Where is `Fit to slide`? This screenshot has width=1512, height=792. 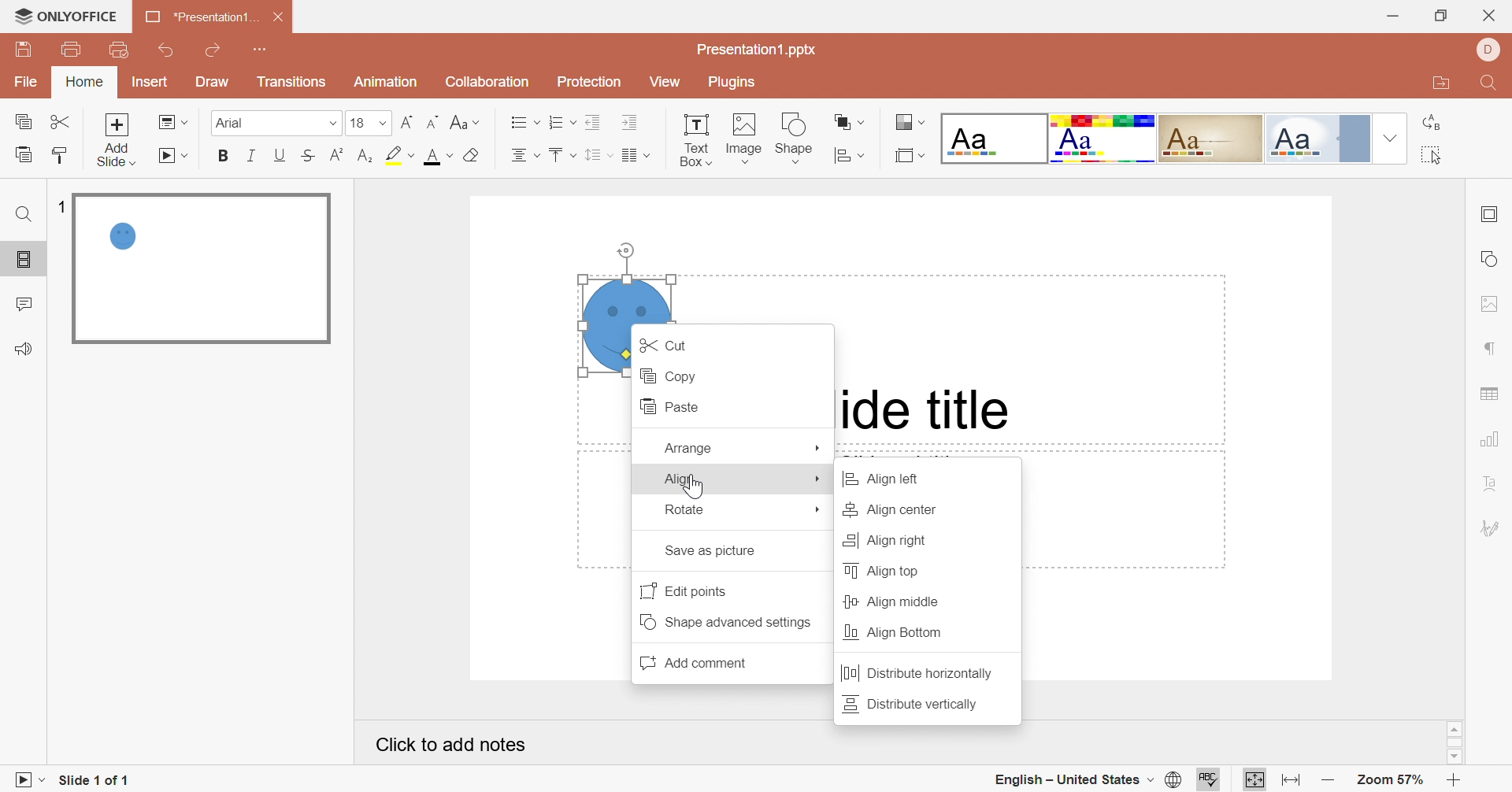
Fit to slide is located at coordinates (1254, 780).